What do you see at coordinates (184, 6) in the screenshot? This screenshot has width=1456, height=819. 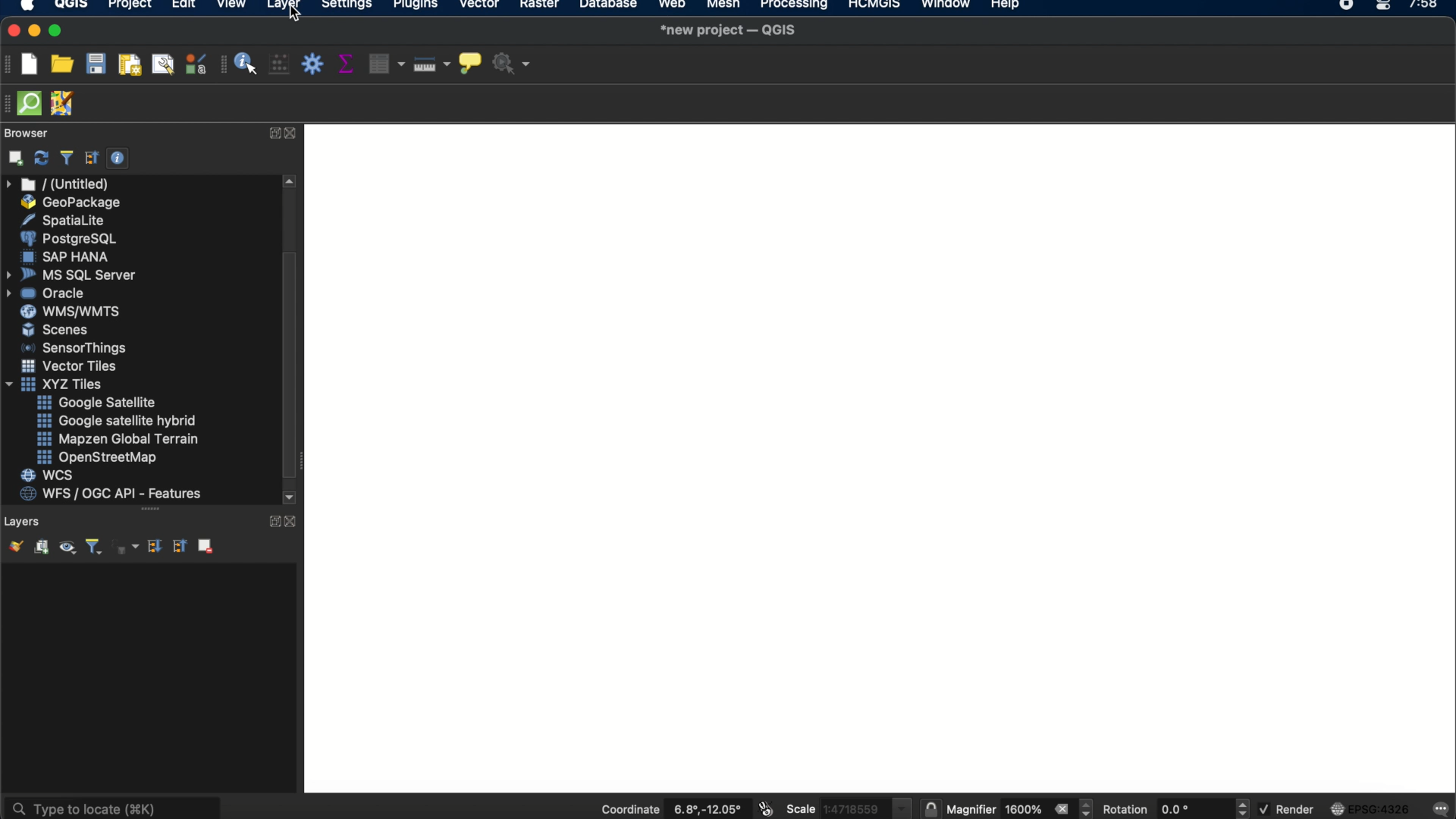 I see `edit` at bounding box center [184, 6].